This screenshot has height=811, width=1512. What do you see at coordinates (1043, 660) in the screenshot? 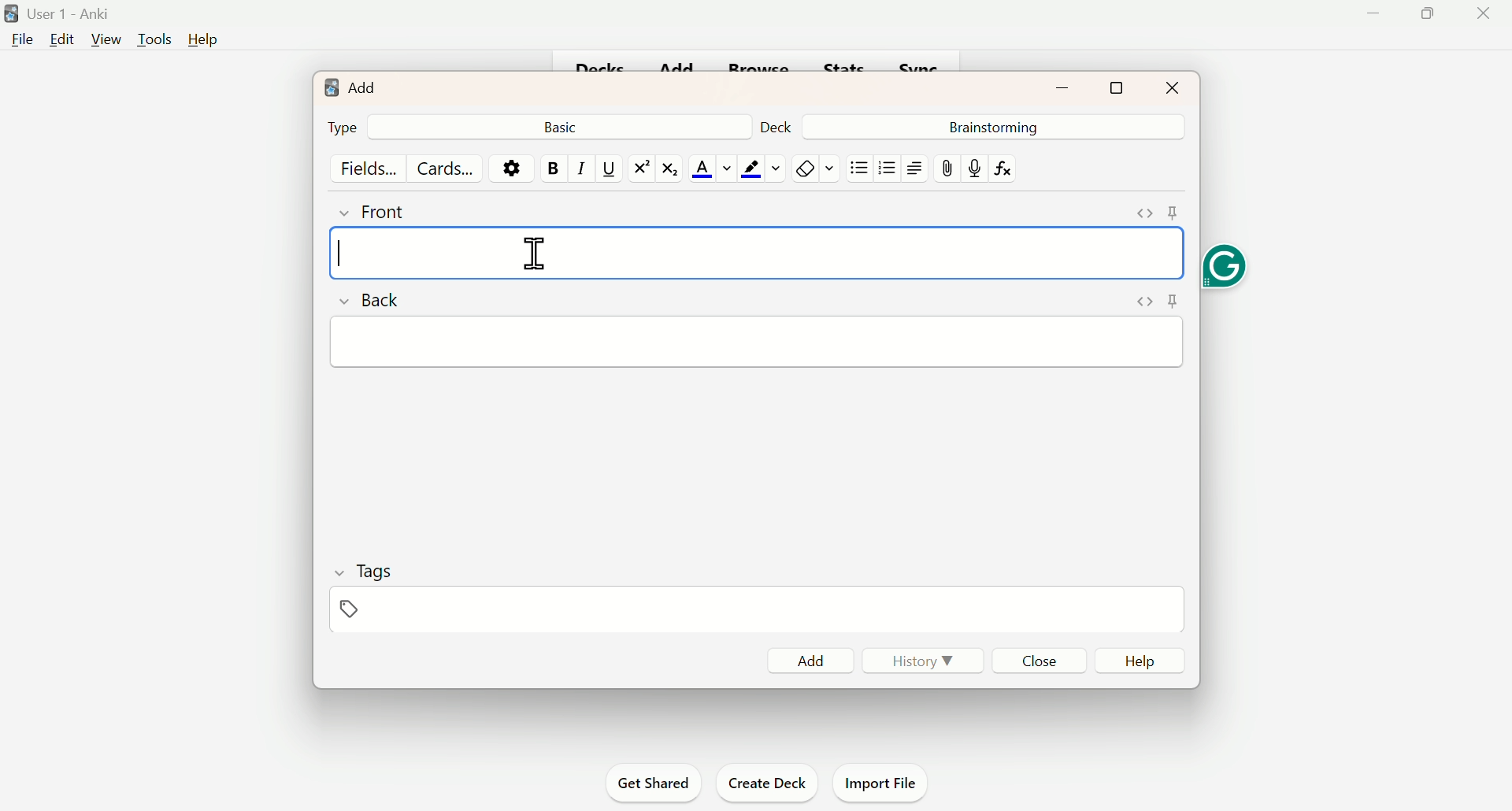
I see `Close` at bounding box center [1043, 660].